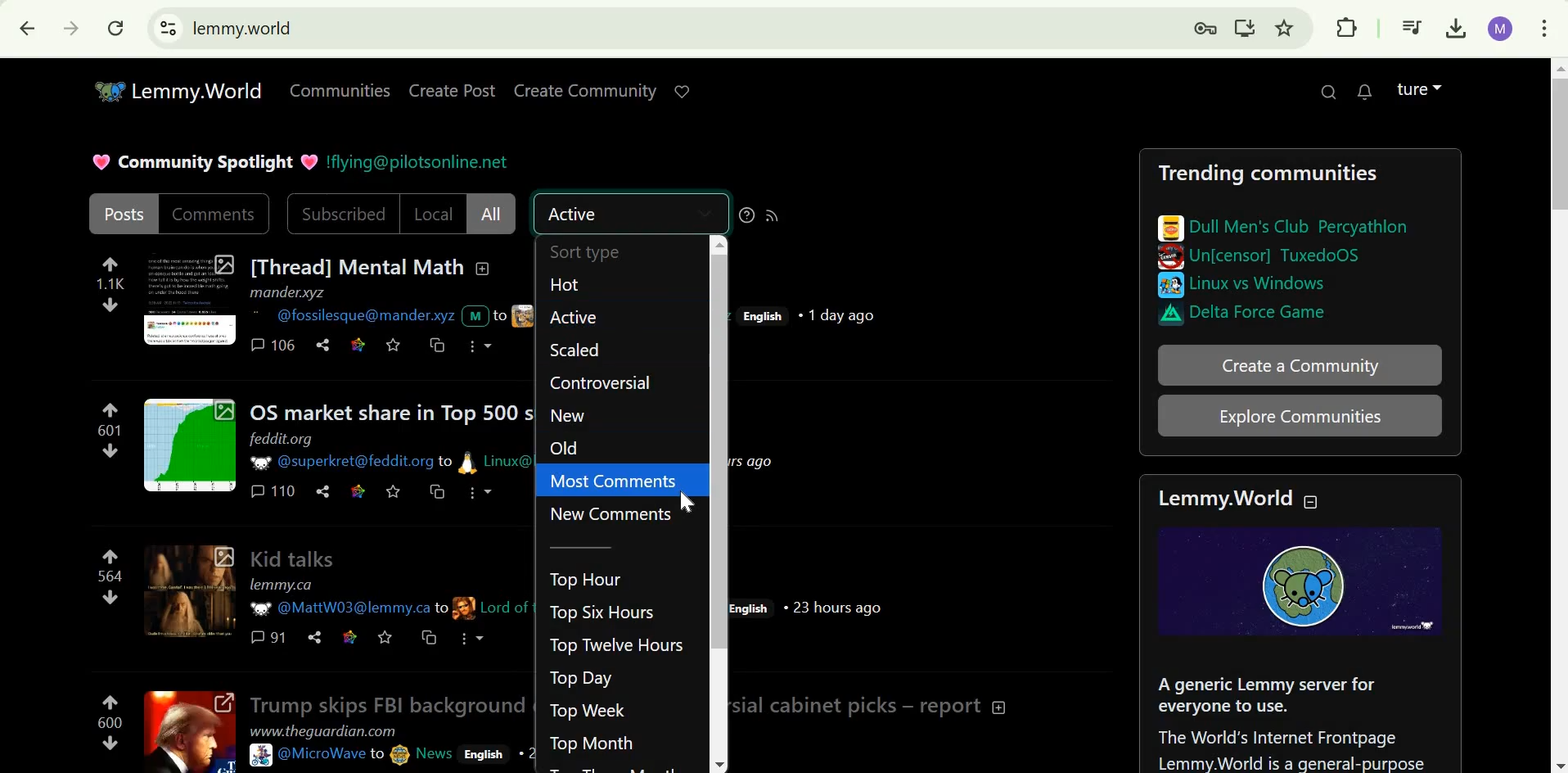  I want to click on Kid talks, so click(293, 557).